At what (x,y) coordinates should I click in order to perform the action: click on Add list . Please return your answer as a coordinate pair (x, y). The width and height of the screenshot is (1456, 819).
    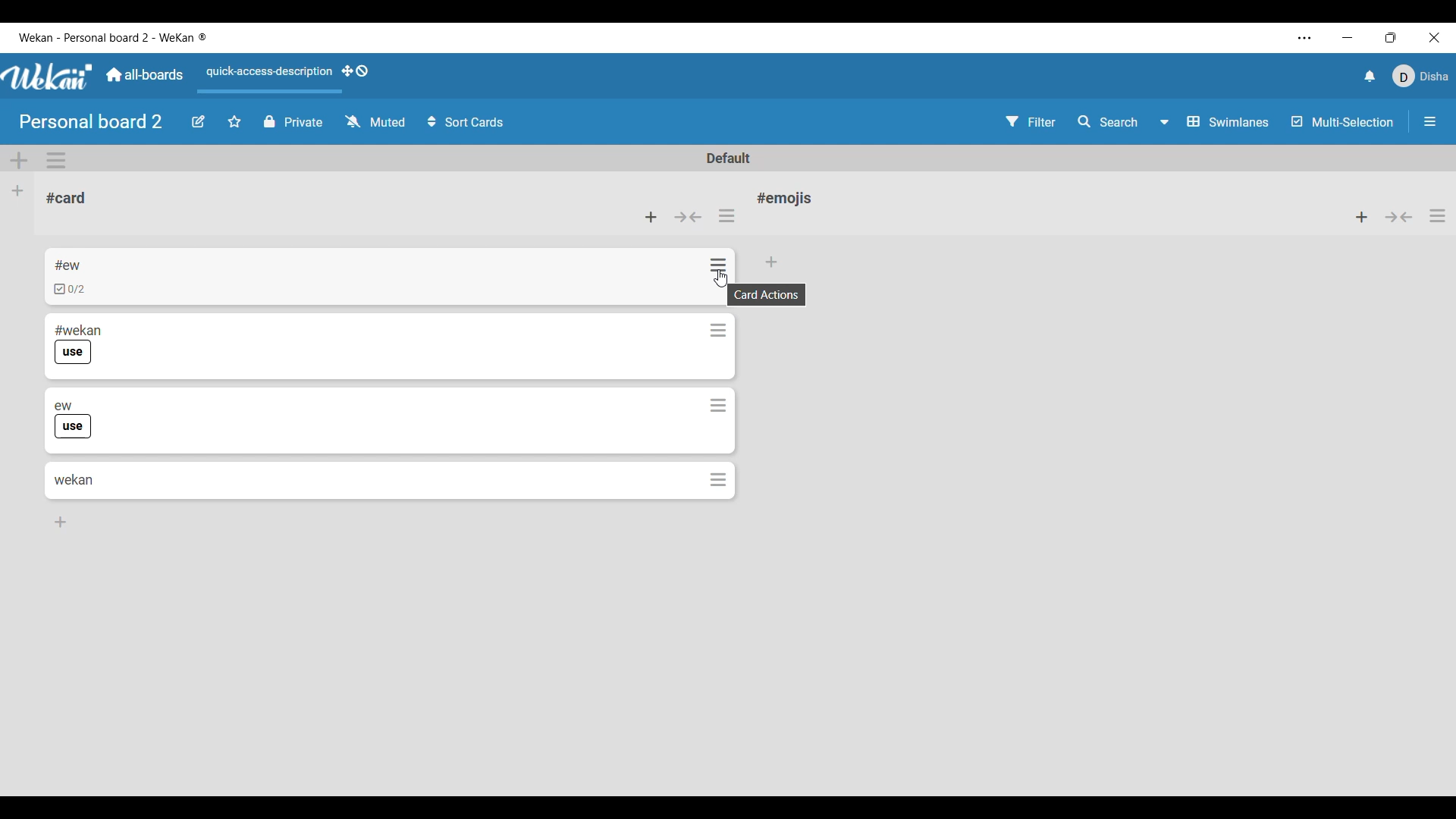
    Looking at the image, I should click on (18, 192).